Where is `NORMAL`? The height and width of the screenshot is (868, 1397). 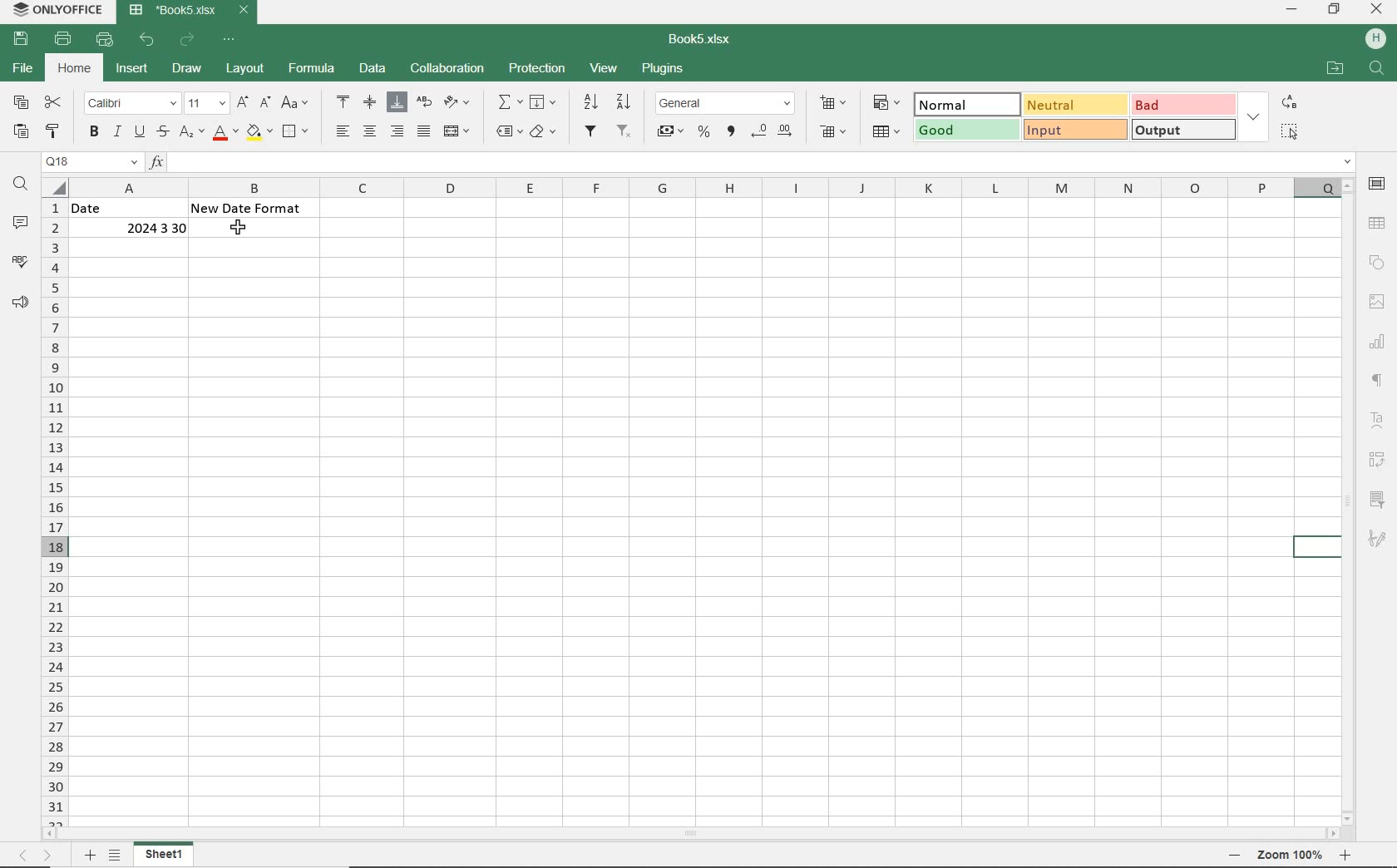 NORMAL is located at coordinates (964, 105).